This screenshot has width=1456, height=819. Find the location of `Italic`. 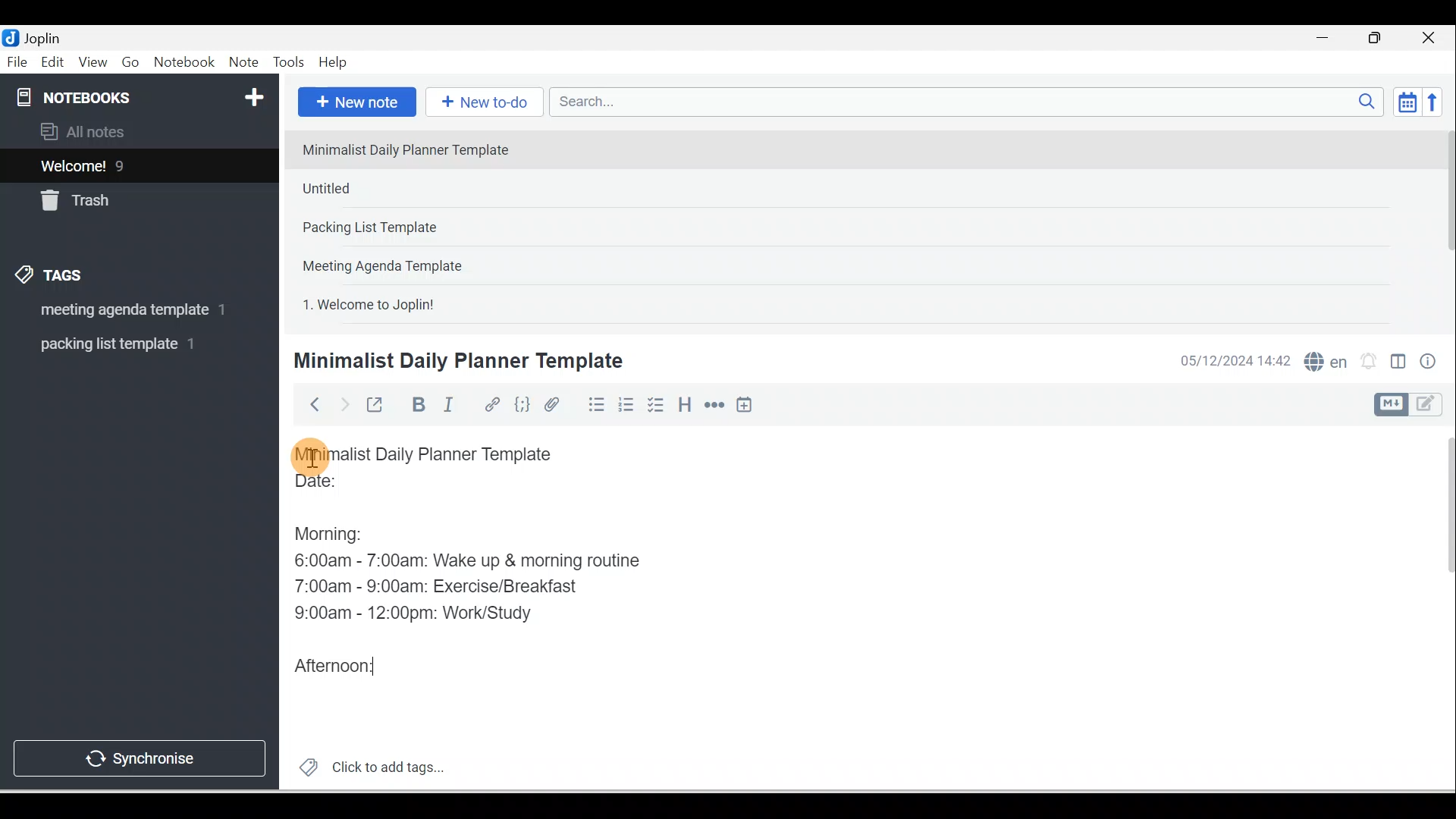

Italic is located at coordinates (451, 407).